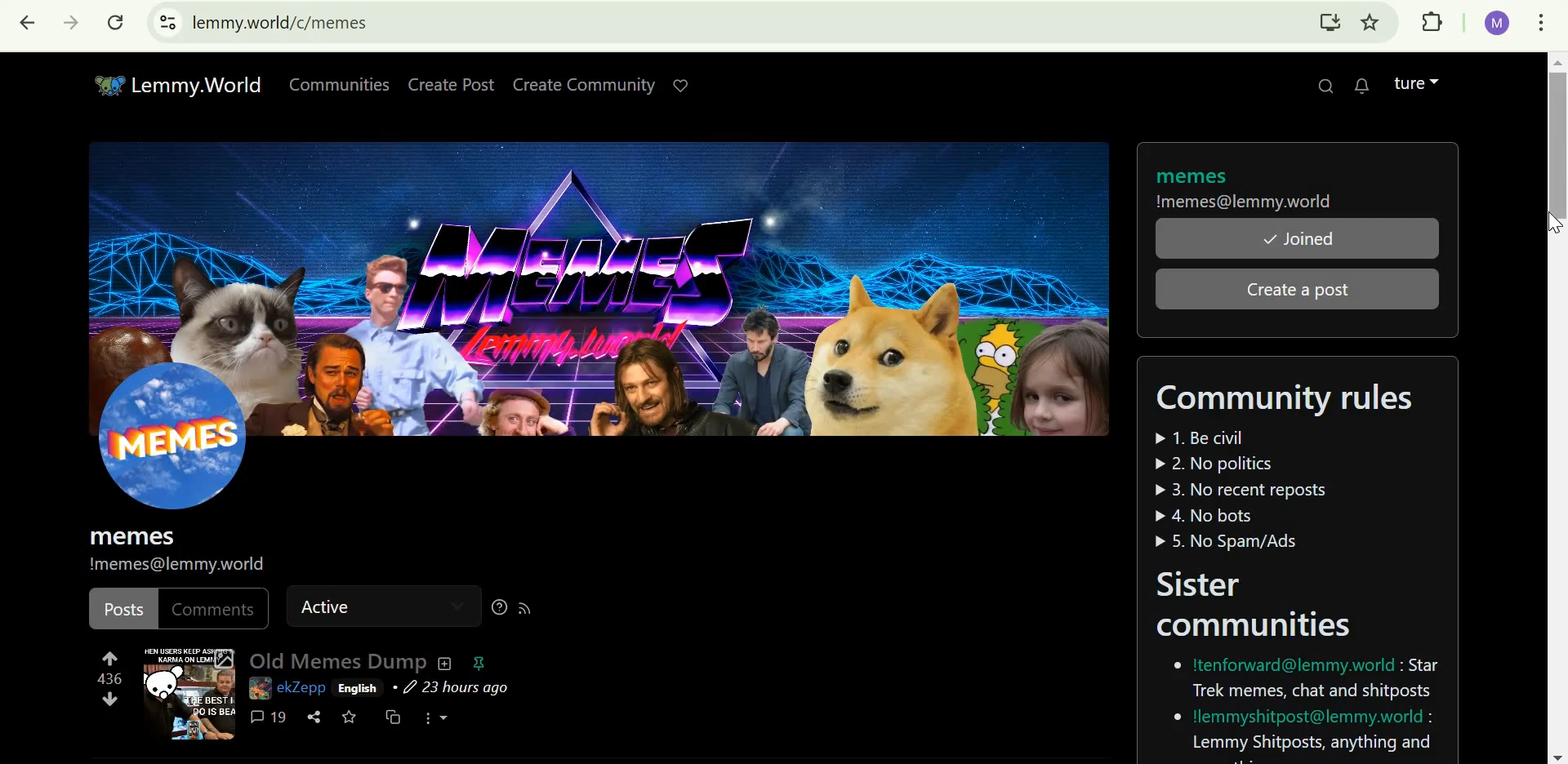 This screenshot has height=764, width=1568. I want to click on create post, so click(452, 83).